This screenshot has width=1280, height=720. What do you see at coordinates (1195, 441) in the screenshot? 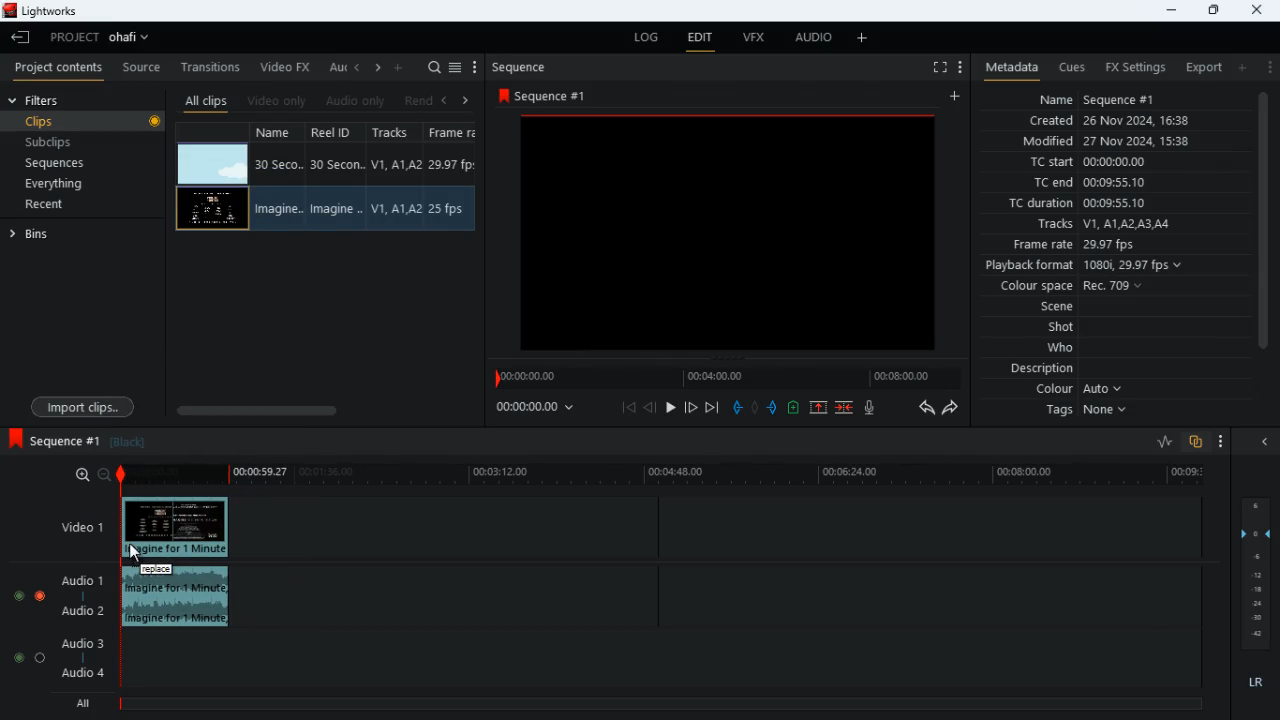
I see `overlap` at bounding box center [1195, 441].